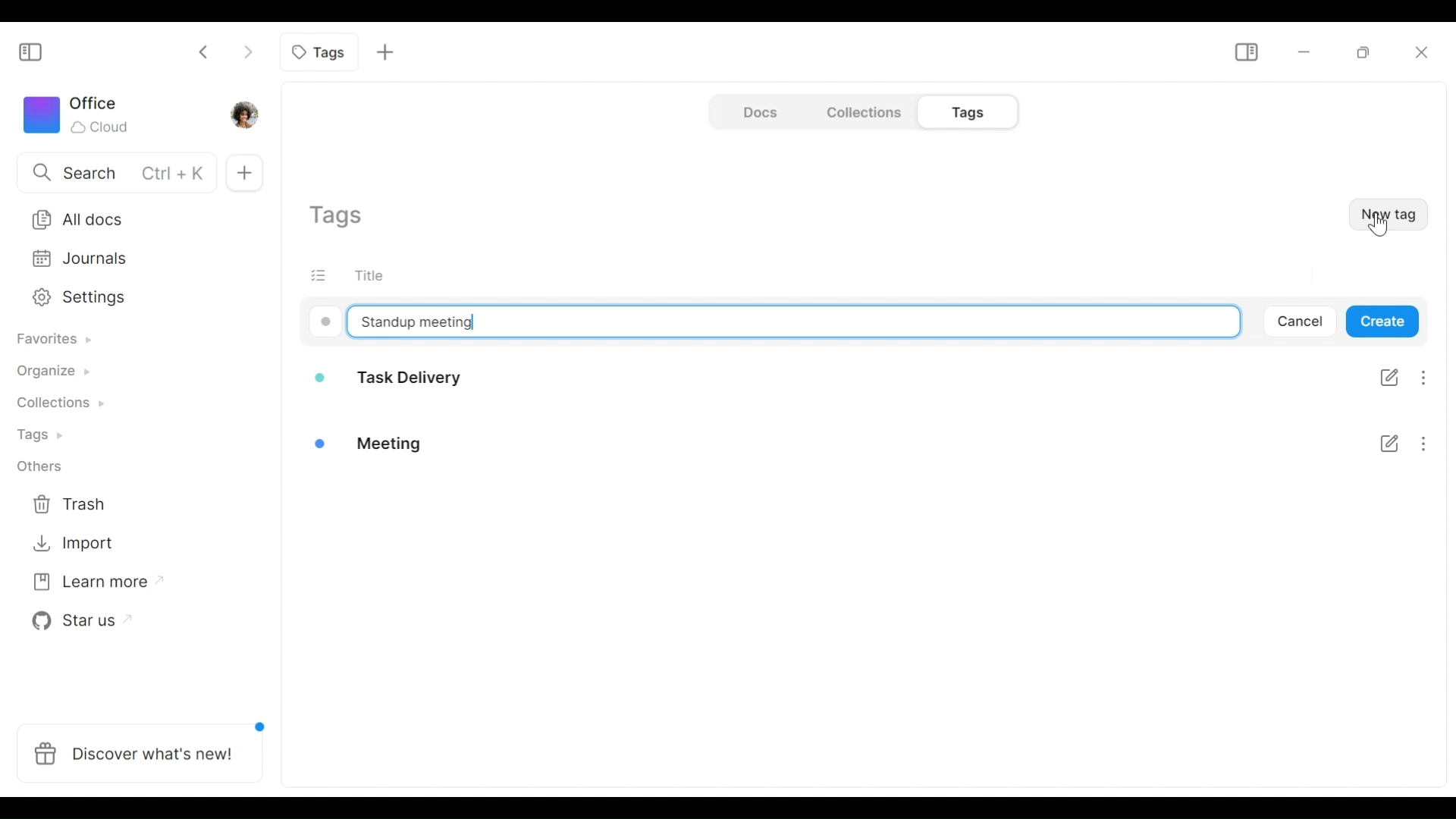 This screenshot has height=819, width=1456. What do you see at coordinates (36, 49) in the screenshot?
I see `Show/Hide Sidebar` at bounding box center [36, 49].